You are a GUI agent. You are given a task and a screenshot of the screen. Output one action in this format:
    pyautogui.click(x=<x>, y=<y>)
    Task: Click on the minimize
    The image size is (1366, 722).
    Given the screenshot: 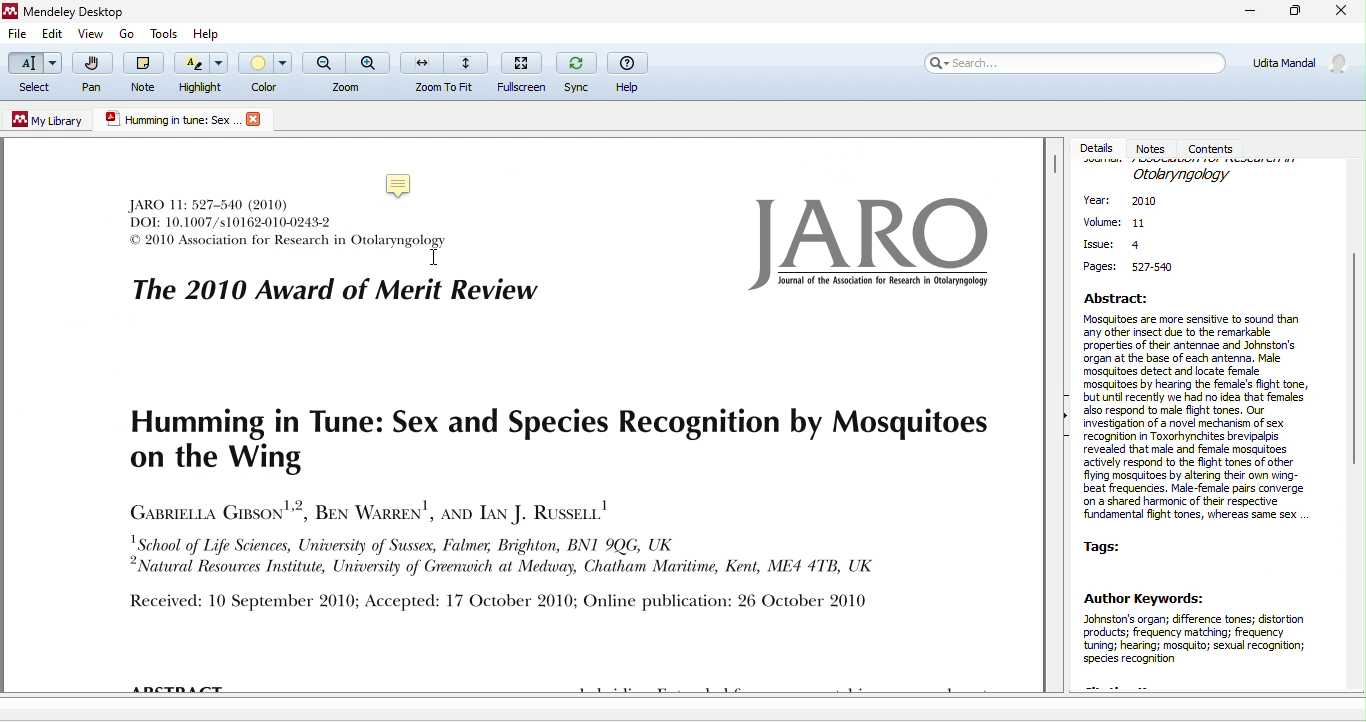 What is the action you would take?
    pyautogui.click(x=1243, y=13)
    